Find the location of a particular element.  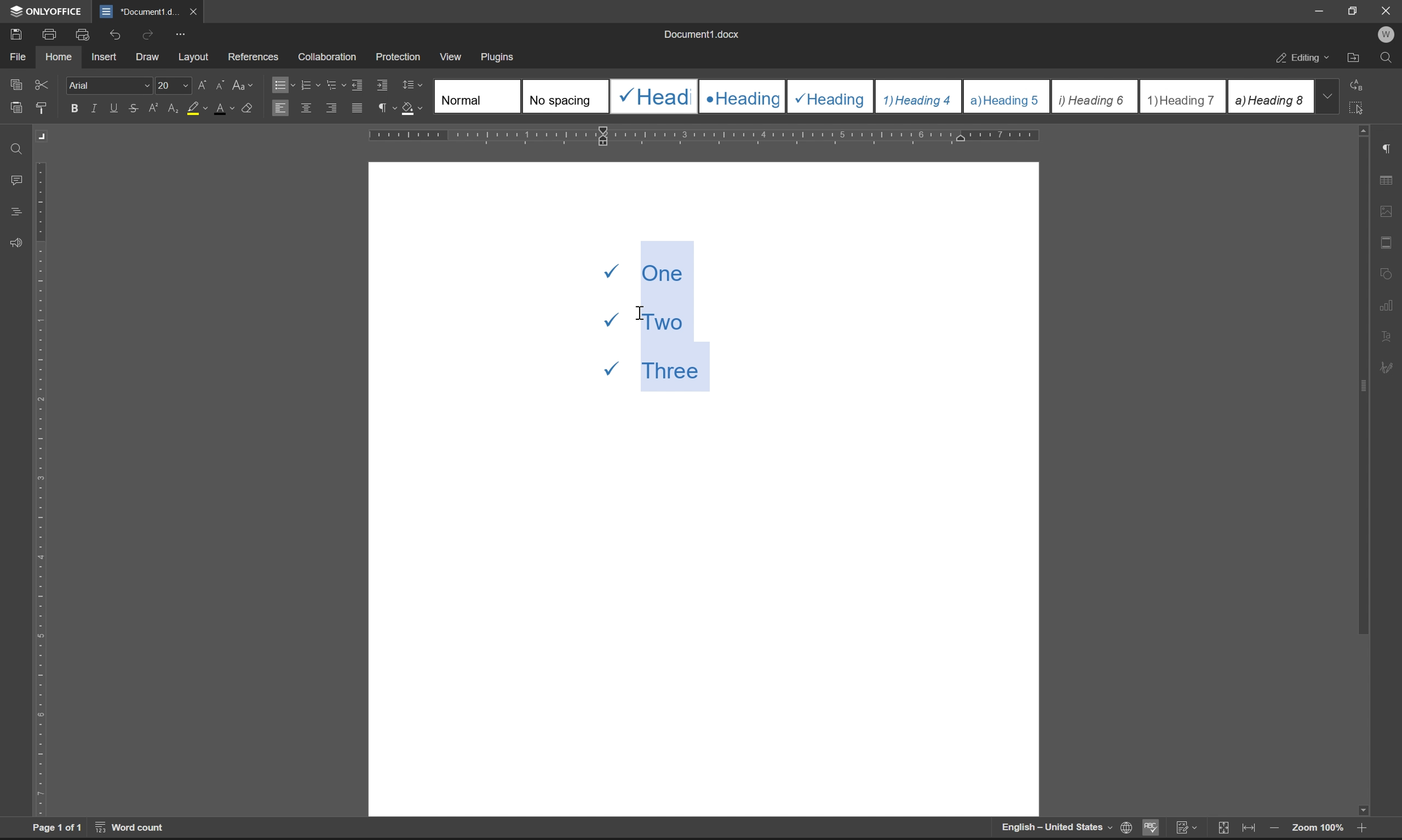

ruler is located at coordinates (41, 488).